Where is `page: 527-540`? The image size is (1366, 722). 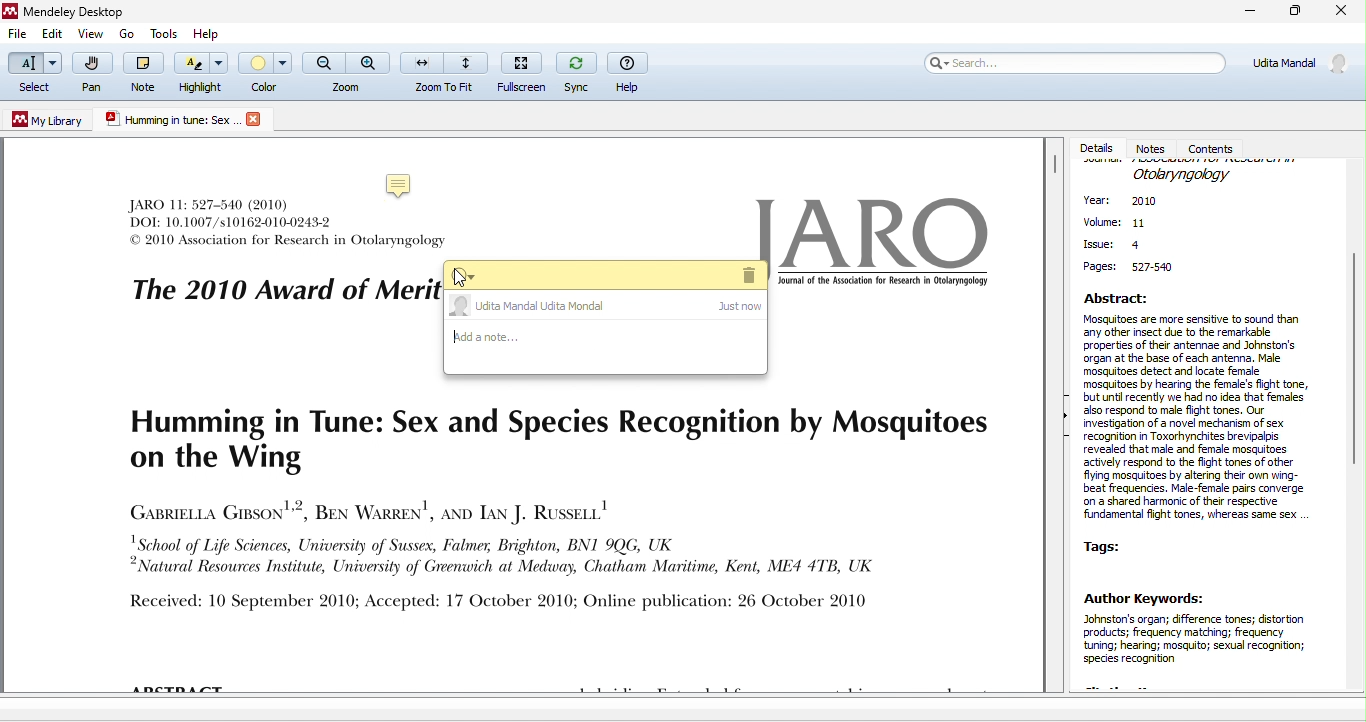 page: 527-540 is located at coordinates (1133, 268).